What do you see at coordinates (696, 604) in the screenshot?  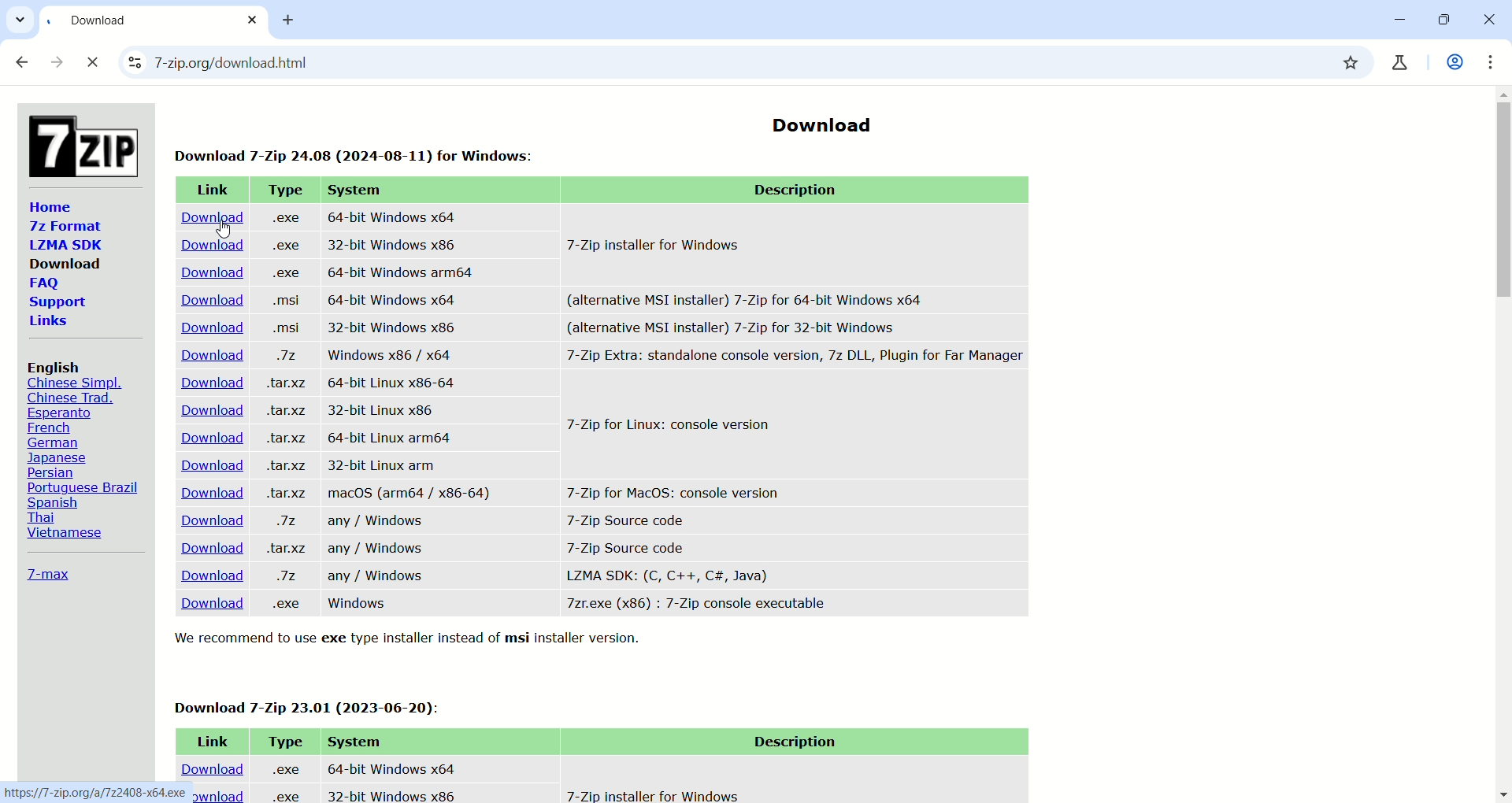 I see `7zr.exe (x86) : 7-Zip console executable` at bounding box center [696, 604].